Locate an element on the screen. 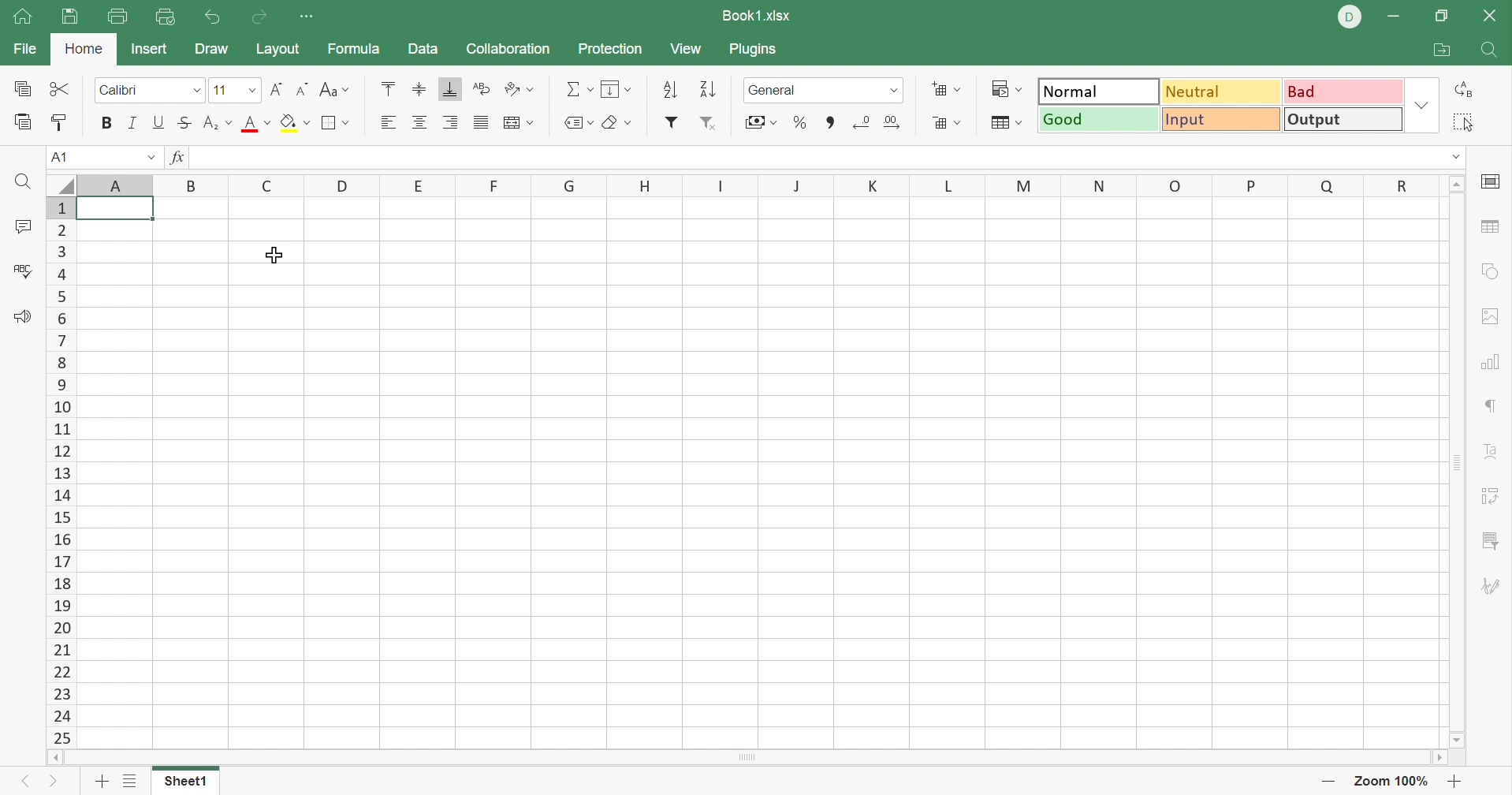  Superscript / subscript is located at coordinates (219, 124).